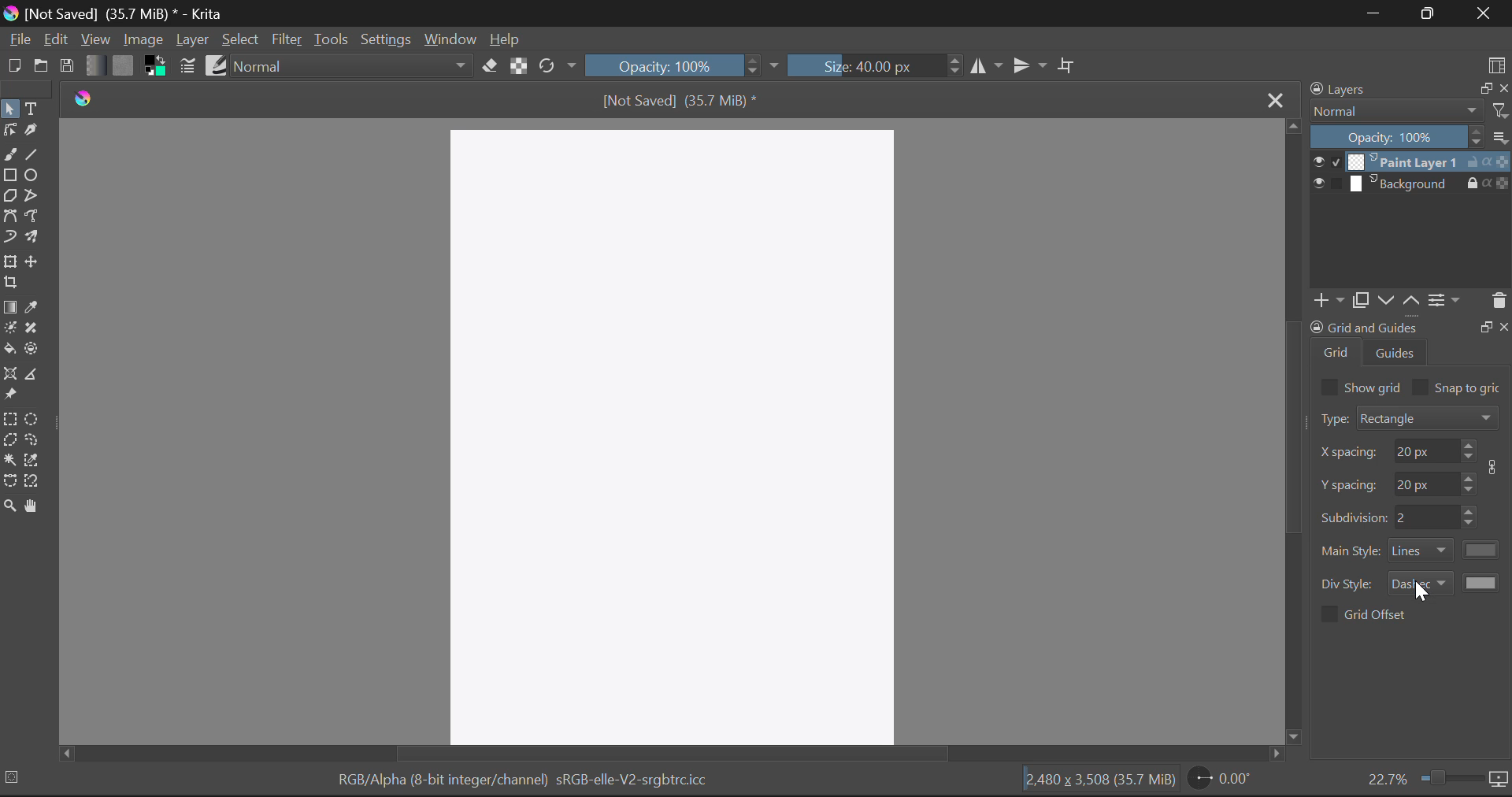 This screenshot has height=797, width=1512. Describe the element at coordinates (1403, 183) in the screenshot. I see `layer 2` at that location.